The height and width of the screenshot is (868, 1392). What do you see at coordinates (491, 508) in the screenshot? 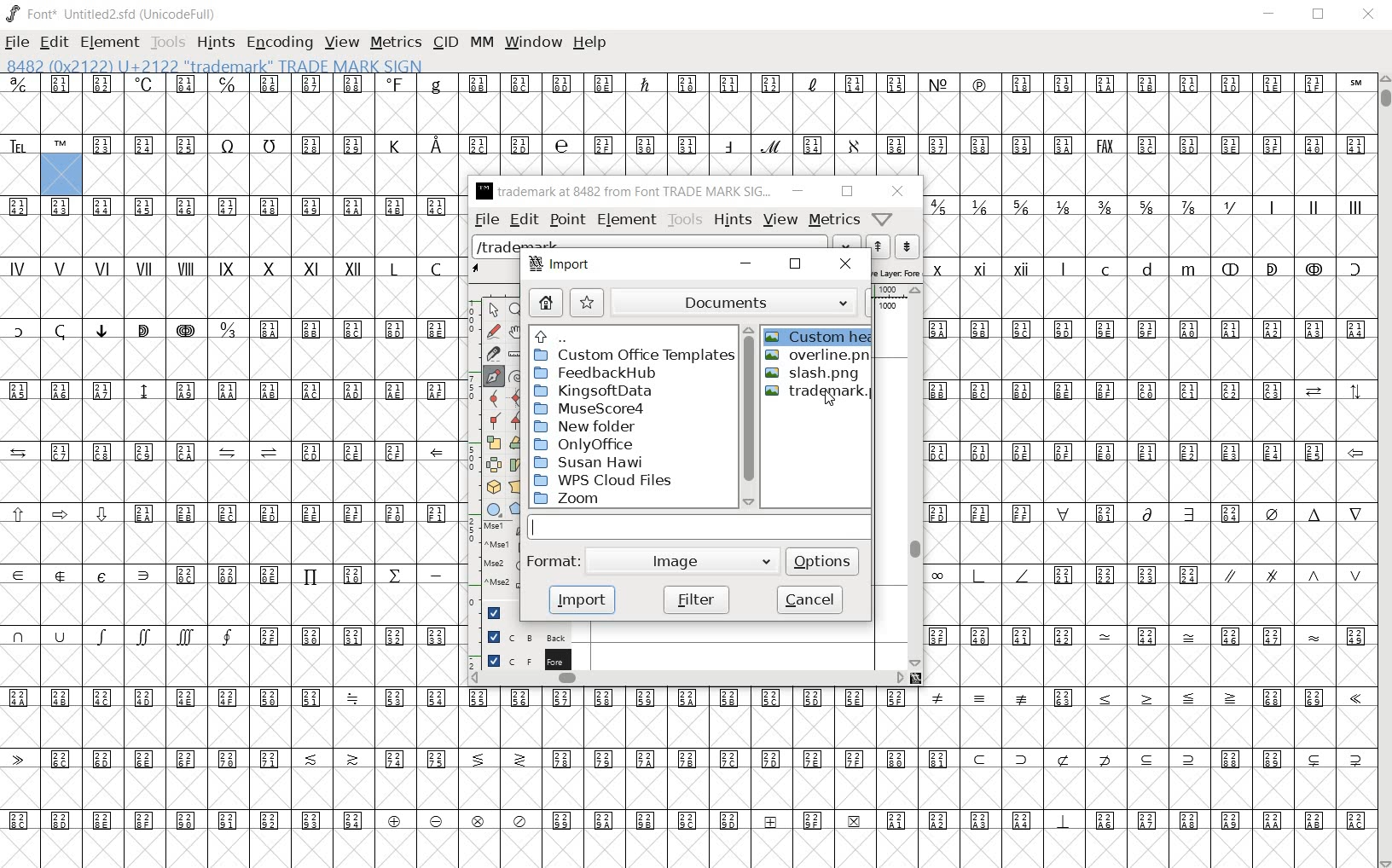
I see `rectangle or ellipse` at bounding box center [491, 508].